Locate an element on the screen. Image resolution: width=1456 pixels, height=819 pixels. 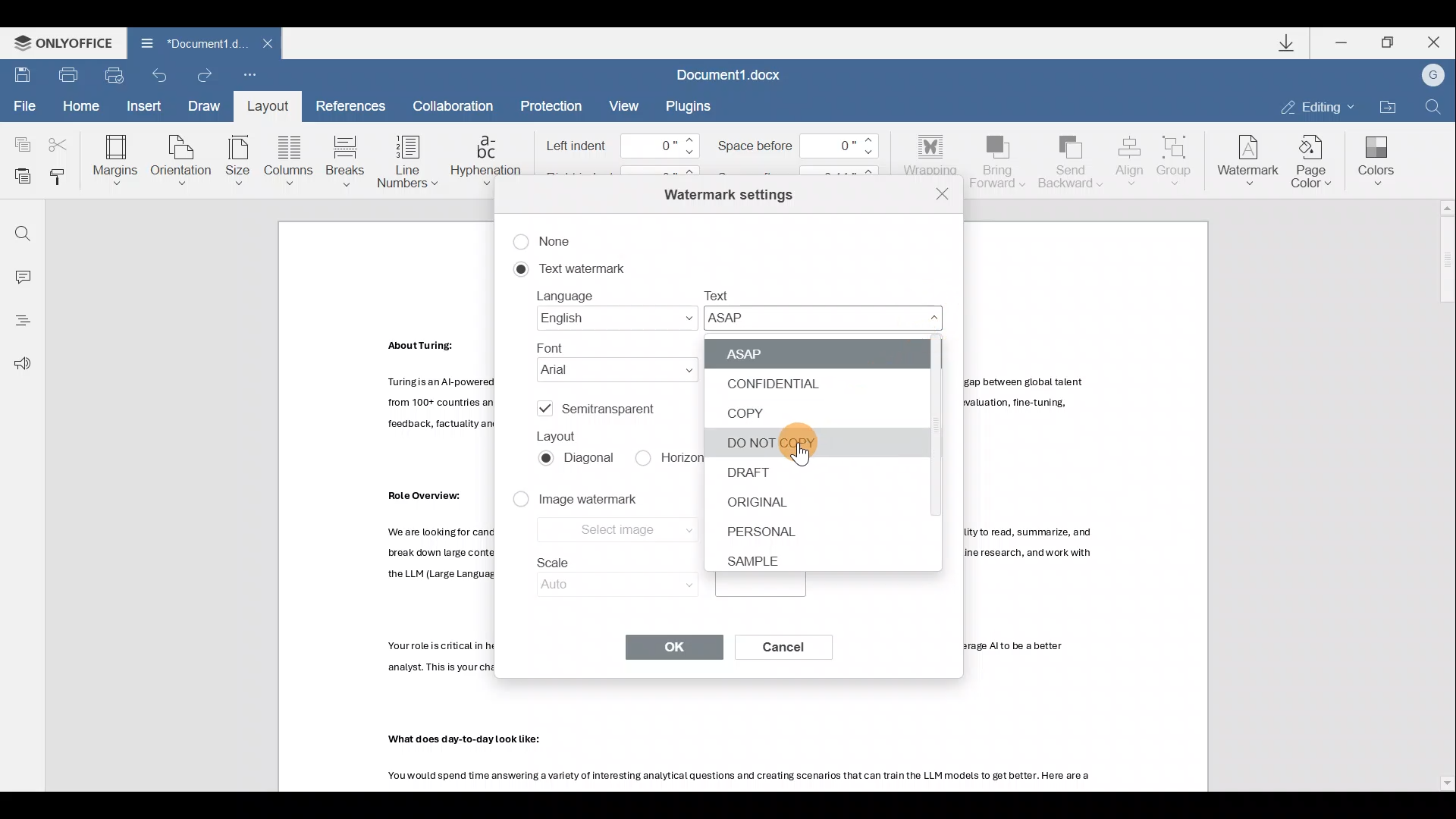
Left indent is located at coordinates (617, 145).